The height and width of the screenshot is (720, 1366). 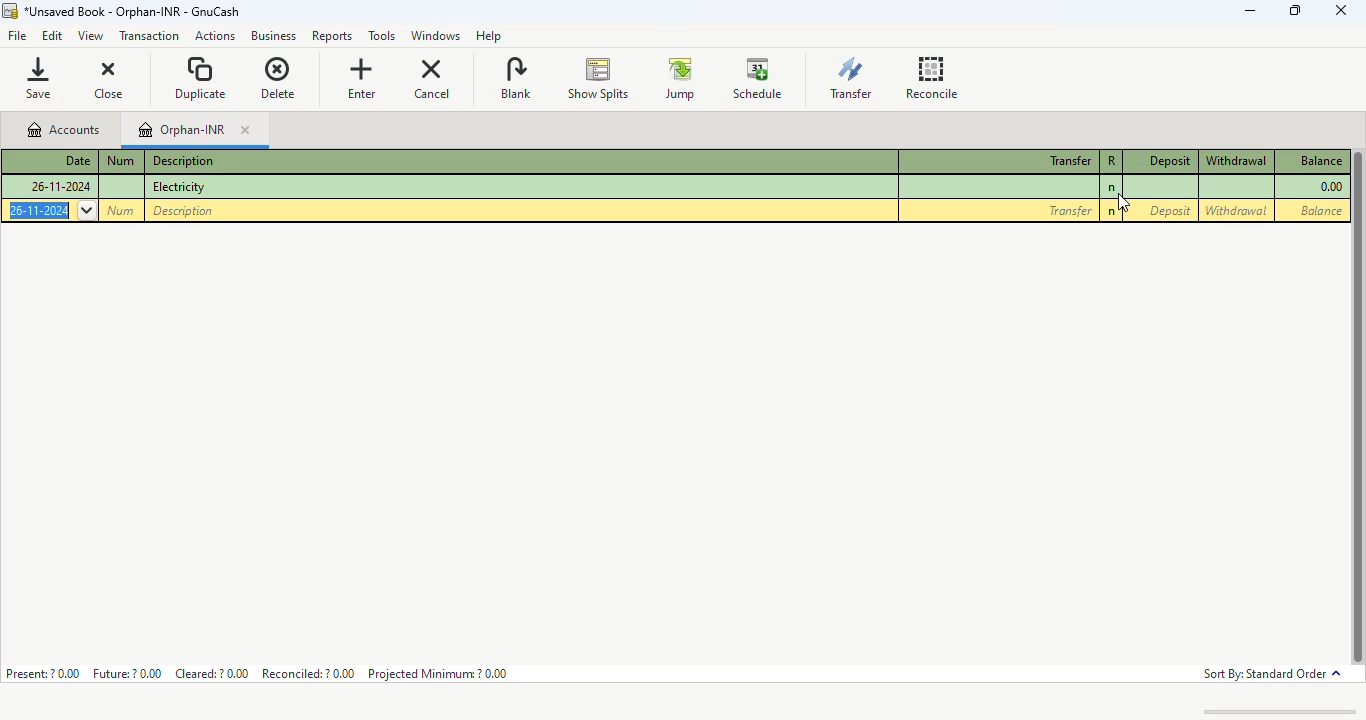 I want to click on deposit, so click(x=1170, y=161).